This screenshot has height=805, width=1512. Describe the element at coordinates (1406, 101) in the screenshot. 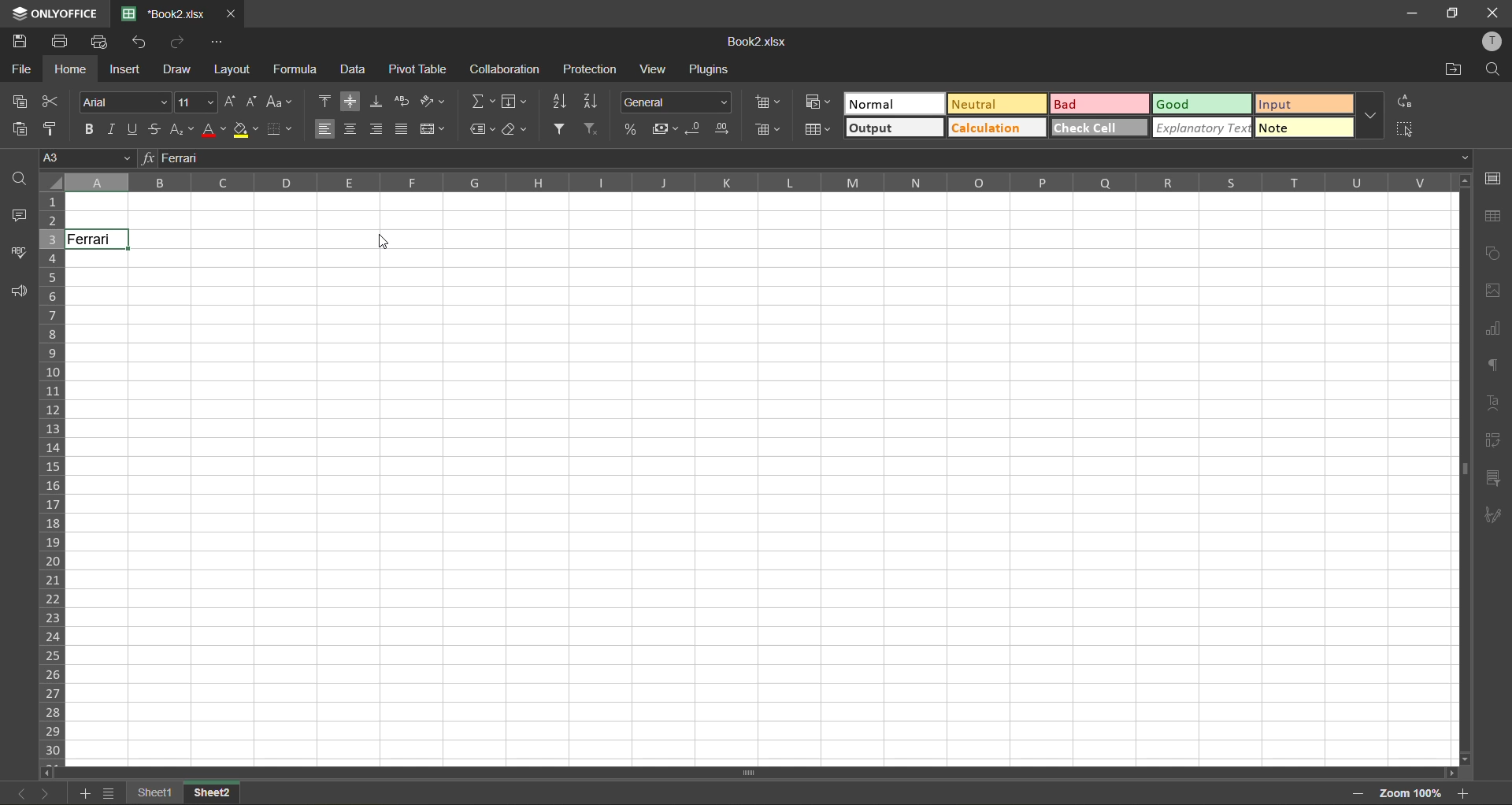

I see `replace` at that location.